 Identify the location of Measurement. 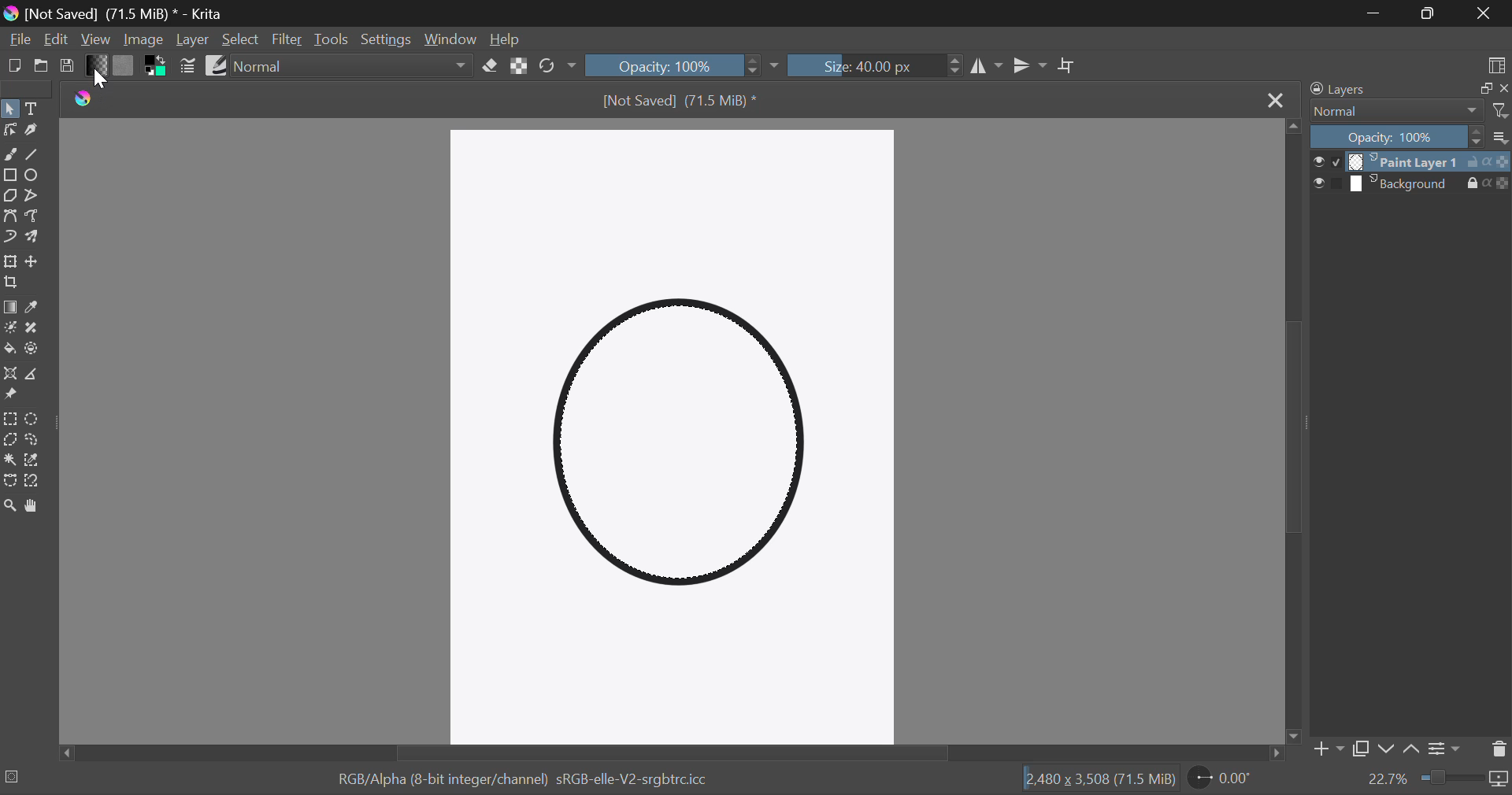
(37, 375).